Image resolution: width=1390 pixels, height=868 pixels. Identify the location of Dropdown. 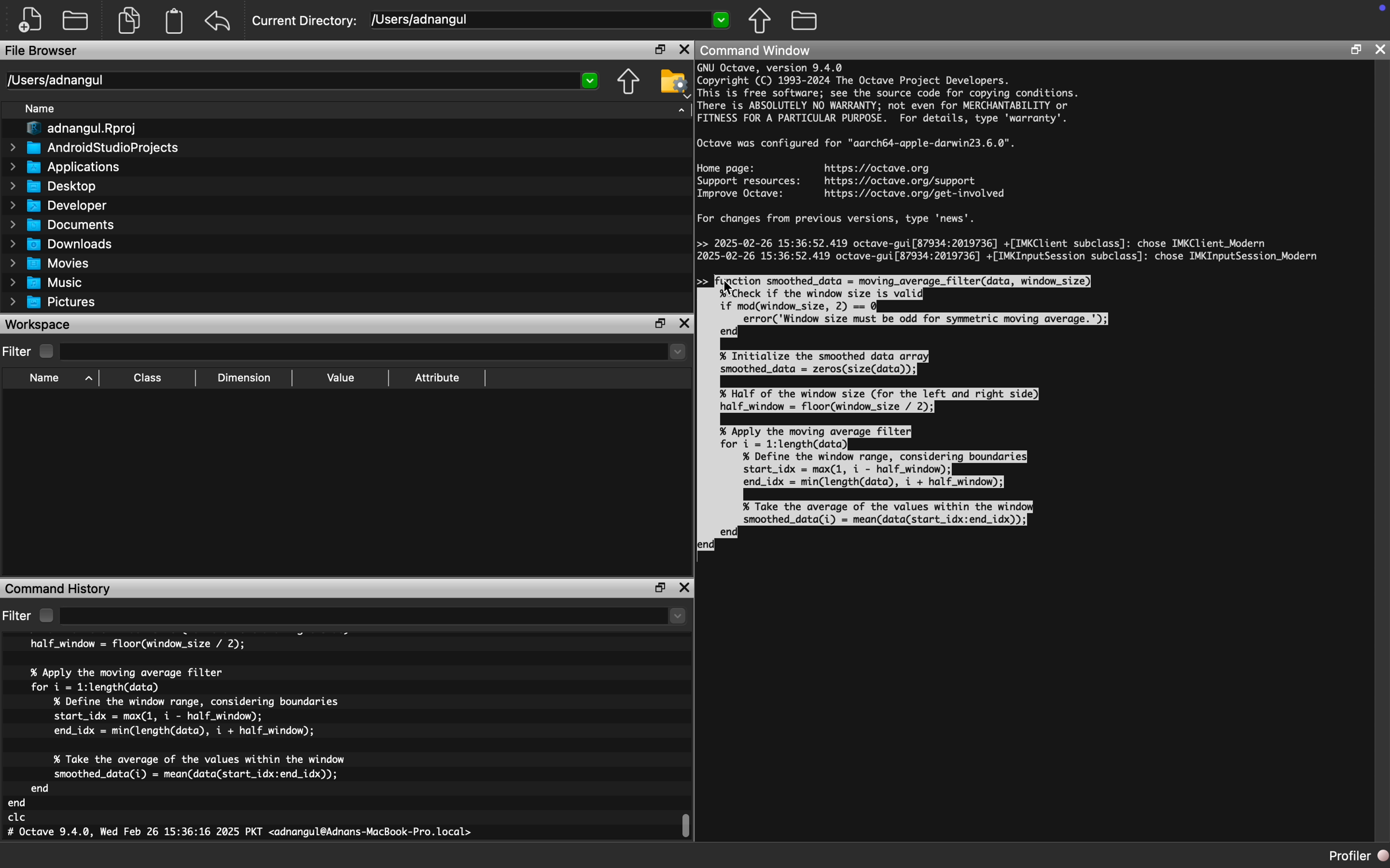
(375, 353).